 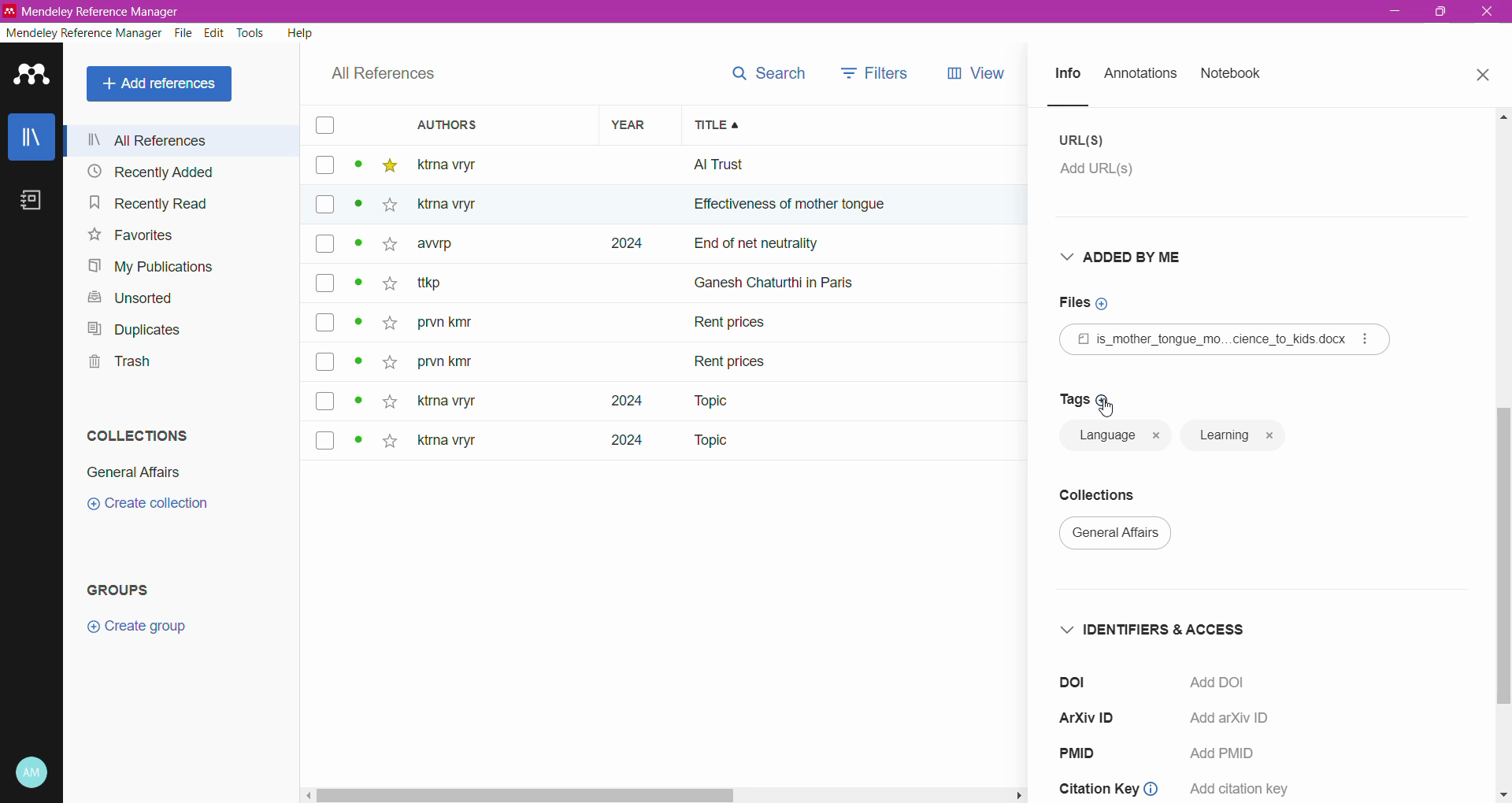 What do you see at coordinates (154, 267) in the screenshot?
I see `My Publications` at bounding box center [154, 267].